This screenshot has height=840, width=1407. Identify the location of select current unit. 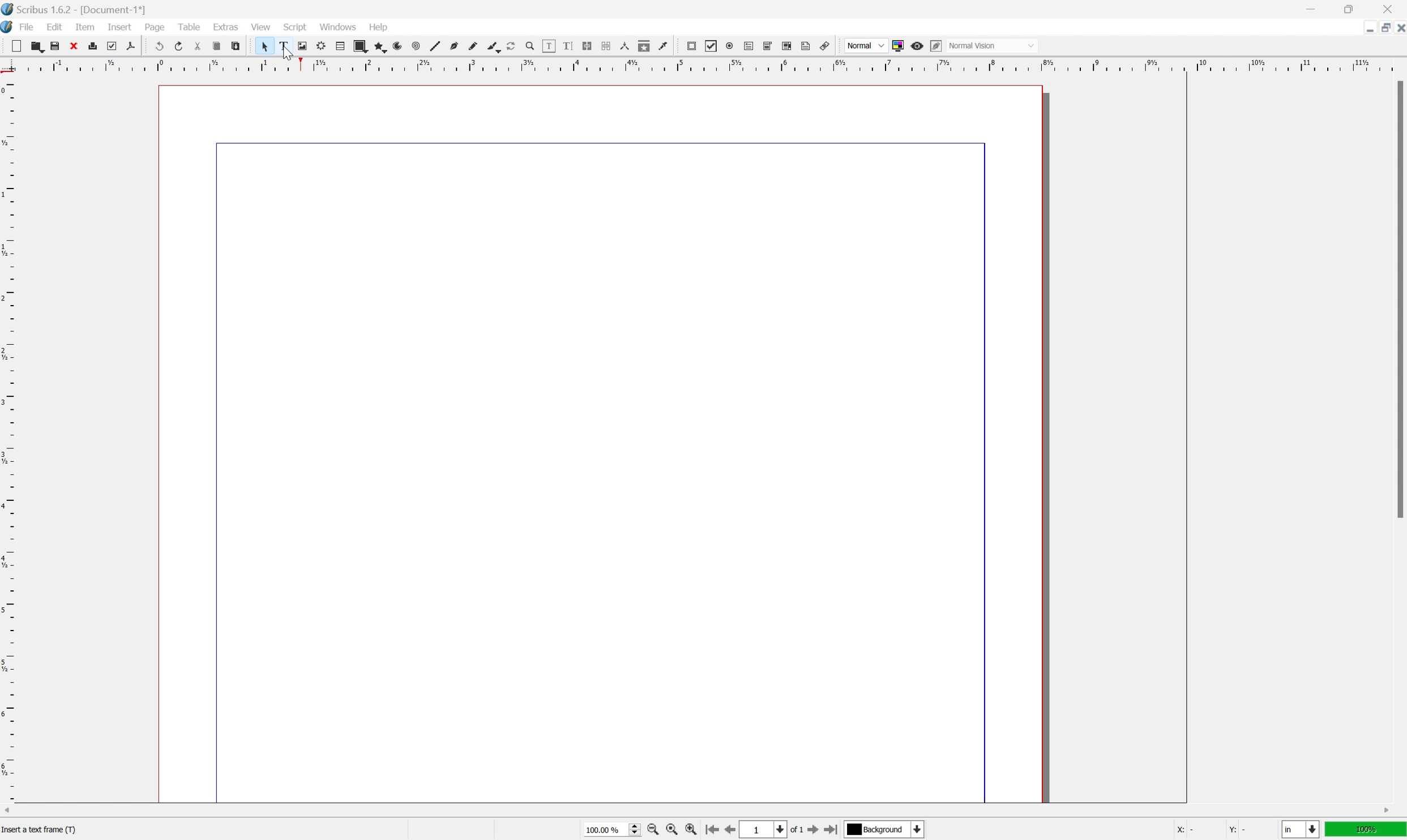
(1301, 830).